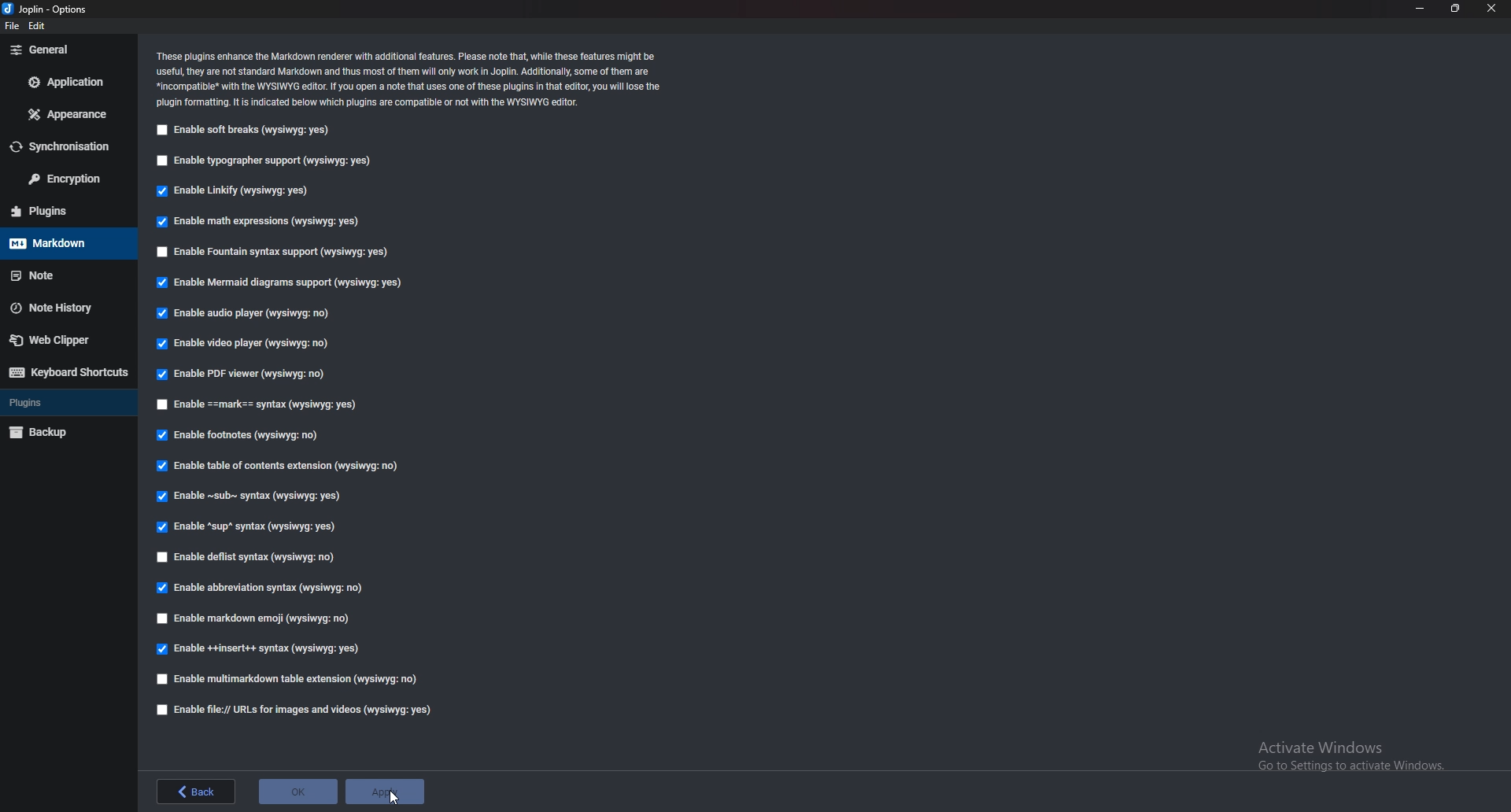 Image resolution: width=1511 pixels, height=812 pixels. Describe the element at coordinates (197, 792) in the screenshot. I see `back` at that location.